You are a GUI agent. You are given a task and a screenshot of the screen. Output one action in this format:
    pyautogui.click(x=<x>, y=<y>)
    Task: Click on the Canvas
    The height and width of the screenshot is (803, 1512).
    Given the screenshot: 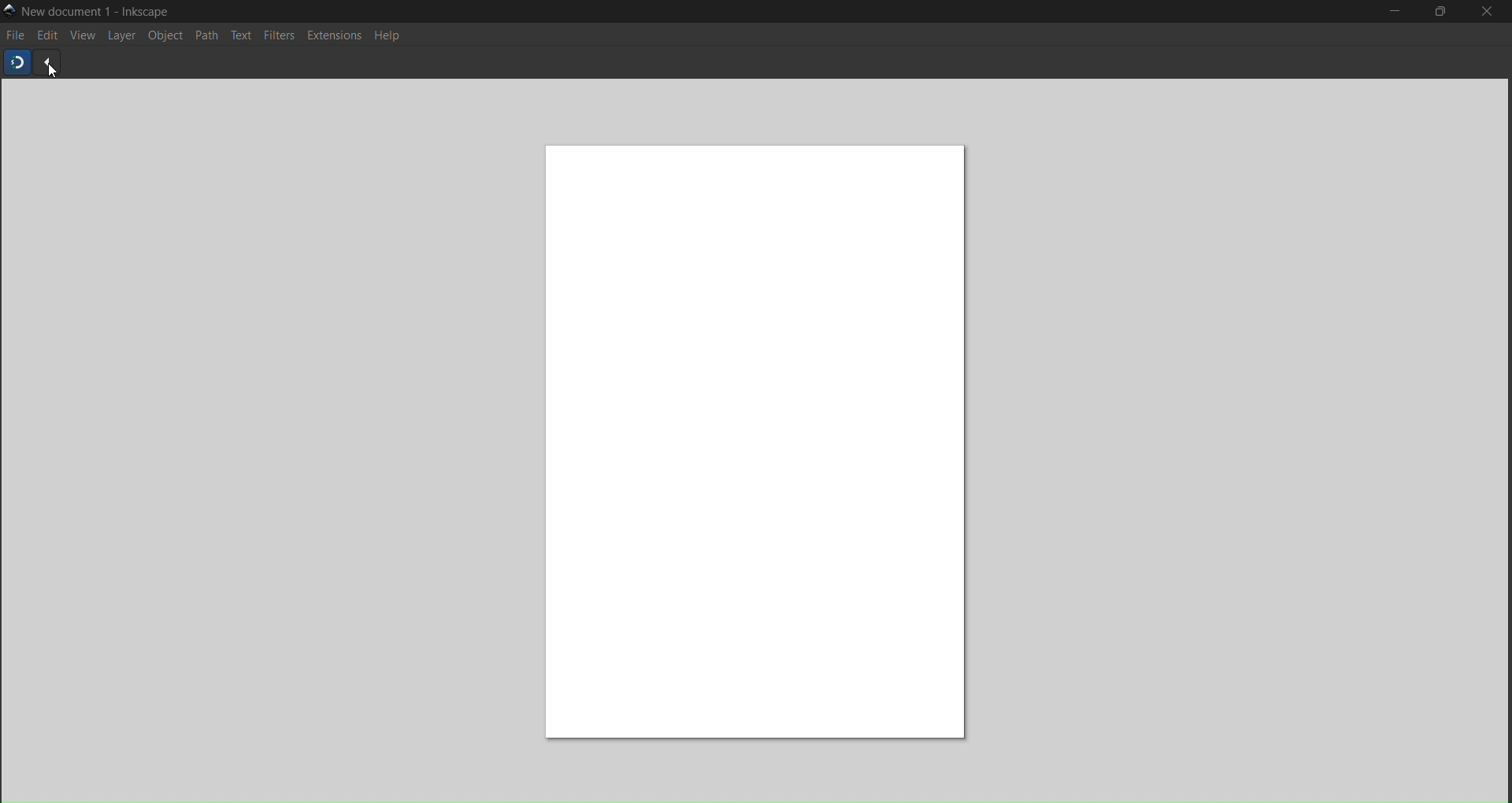 What is the action you would take?
    pyautogui.click(x=746, y=435)
    